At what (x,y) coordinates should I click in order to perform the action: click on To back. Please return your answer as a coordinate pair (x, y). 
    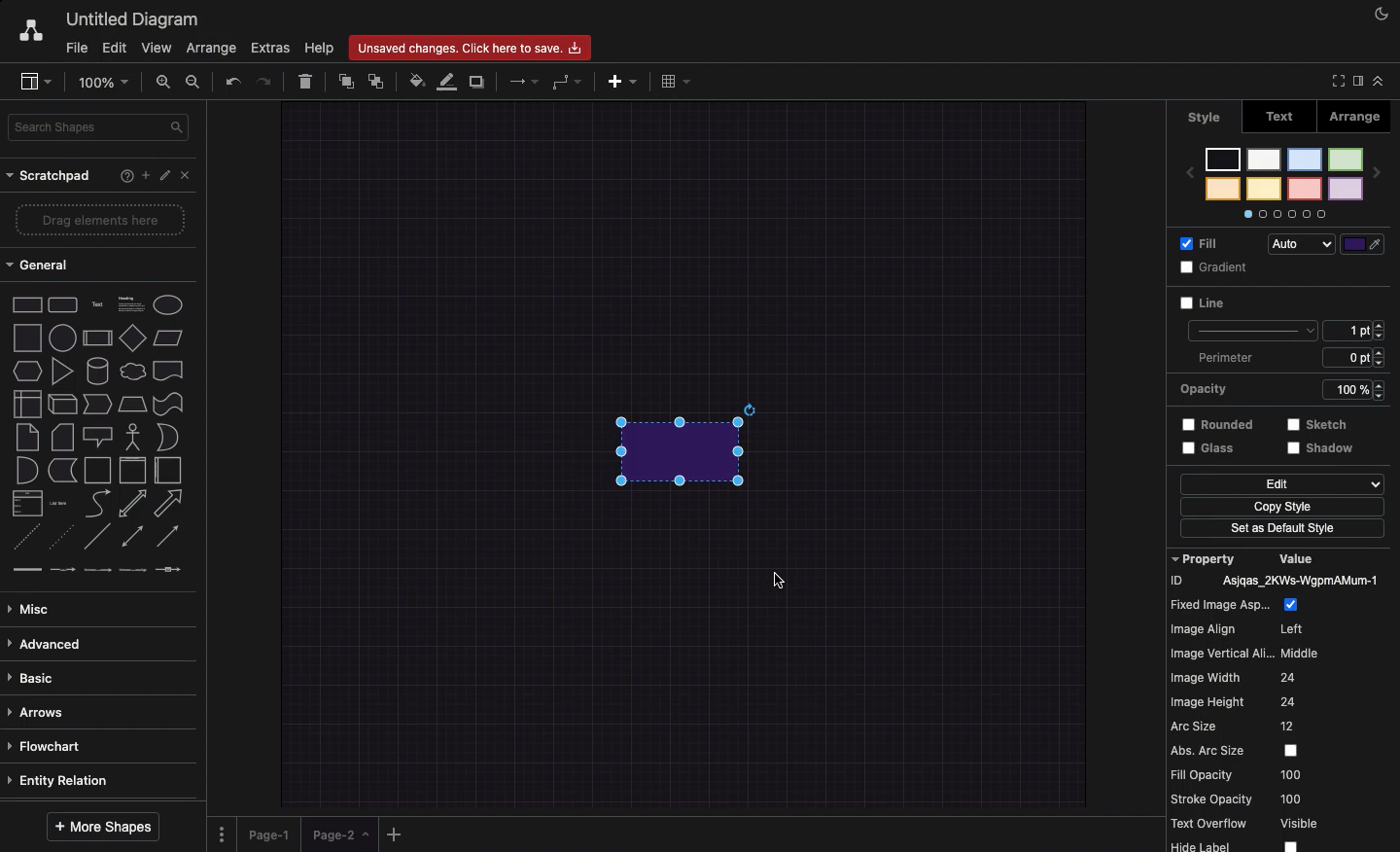
    Looking at the image, I should click on (380, 81).